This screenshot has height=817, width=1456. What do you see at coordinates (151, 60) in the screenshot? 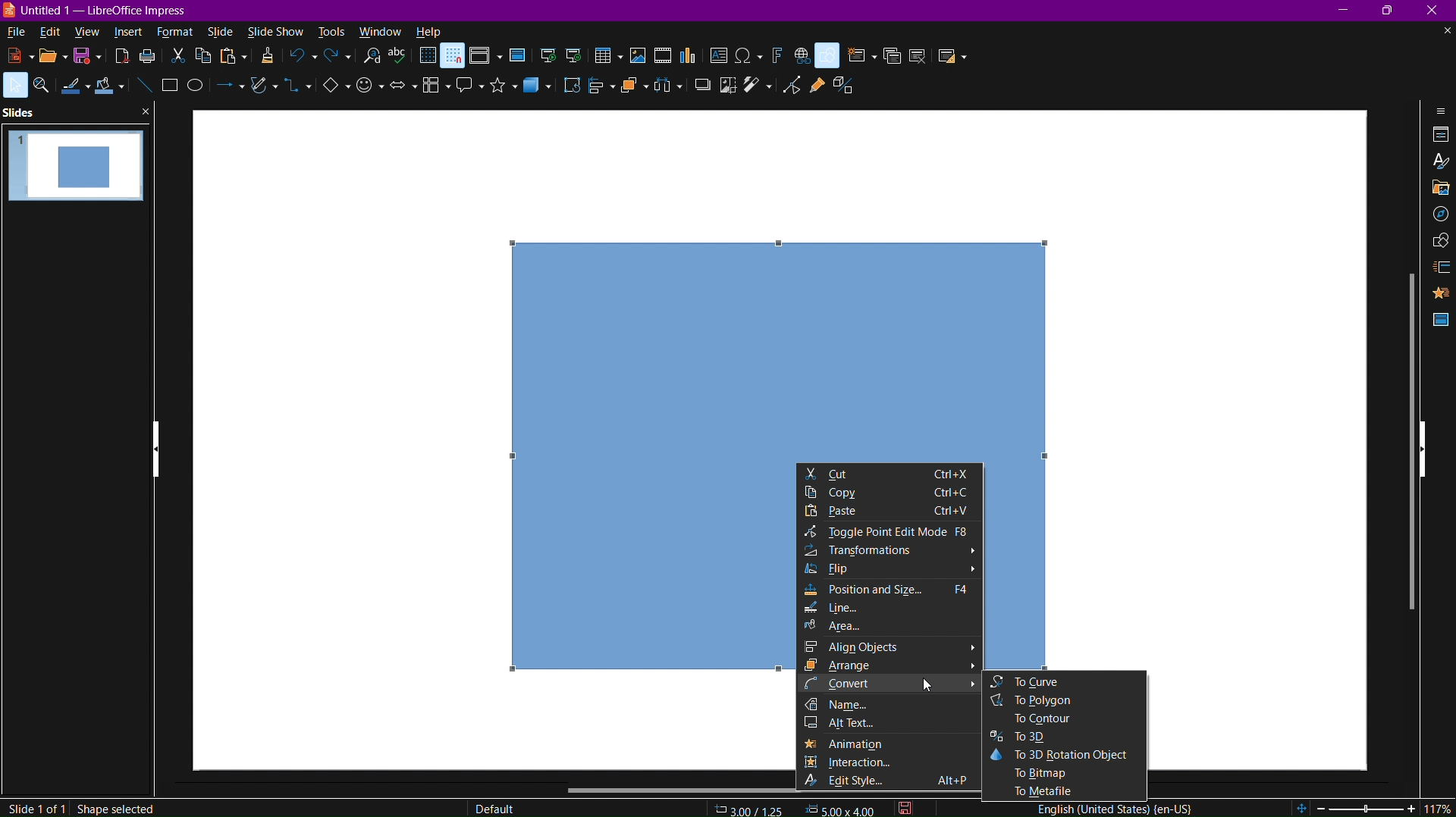
I see `print` at bounding box center [151, 60].